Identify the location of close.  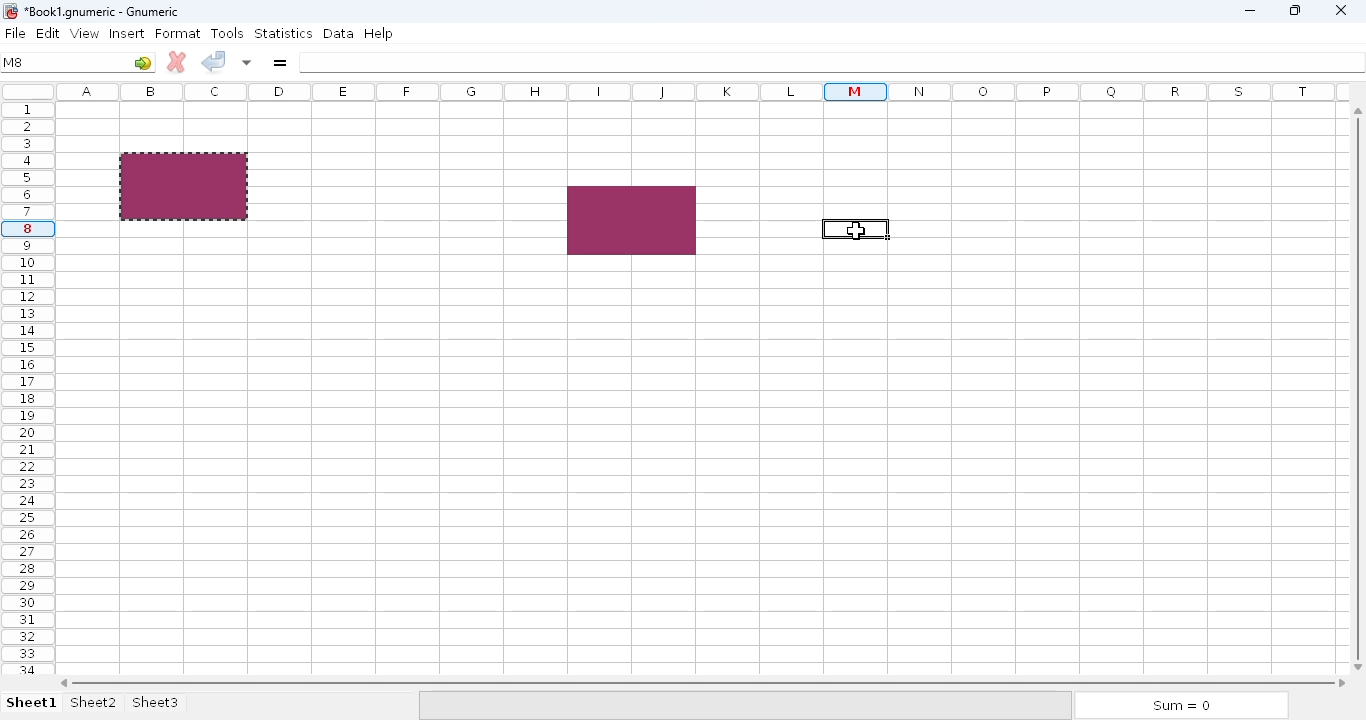
(1341, 12).